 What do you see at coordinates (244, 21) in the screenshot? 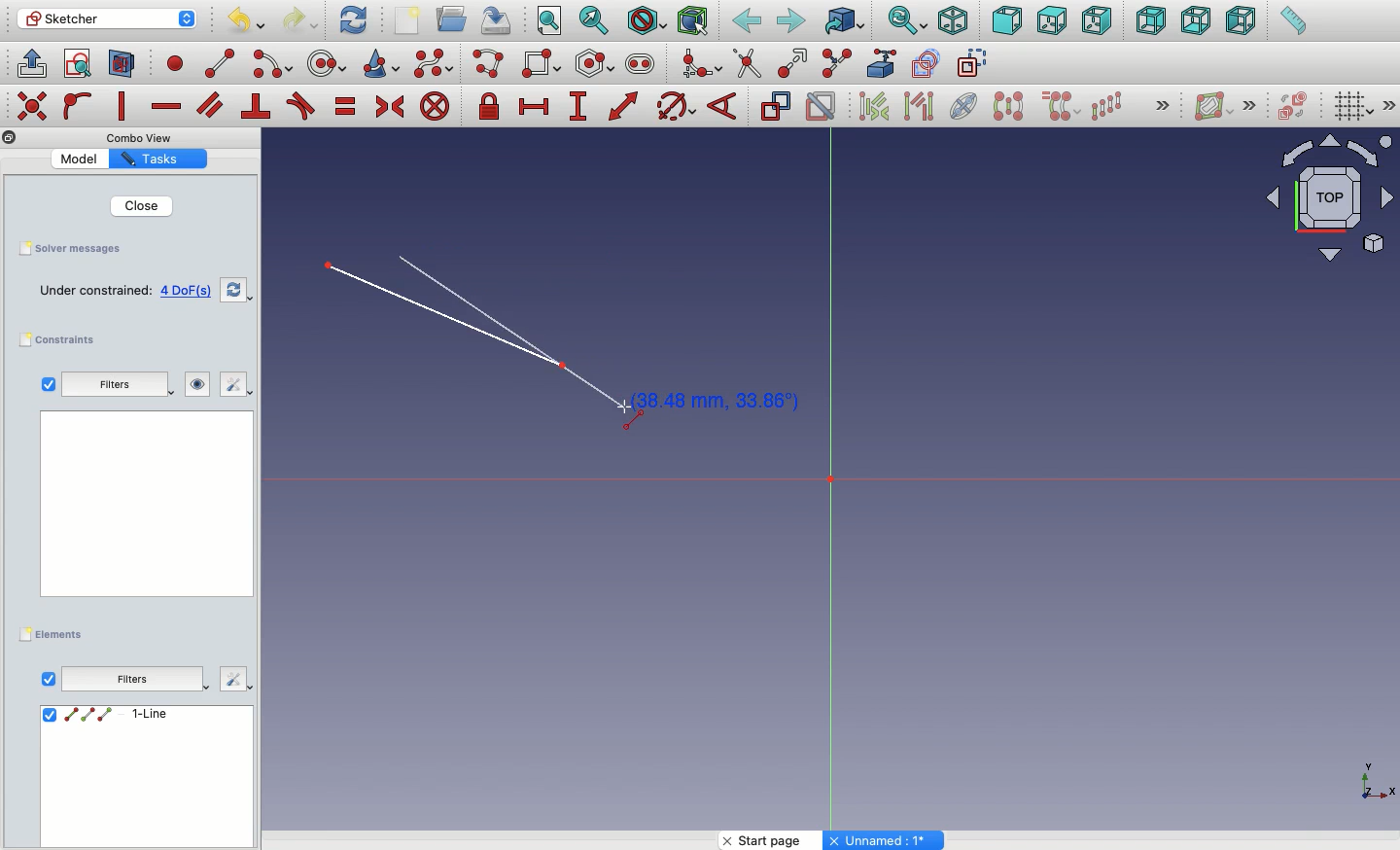
I see `Undo` at bounding box center [244, 21].